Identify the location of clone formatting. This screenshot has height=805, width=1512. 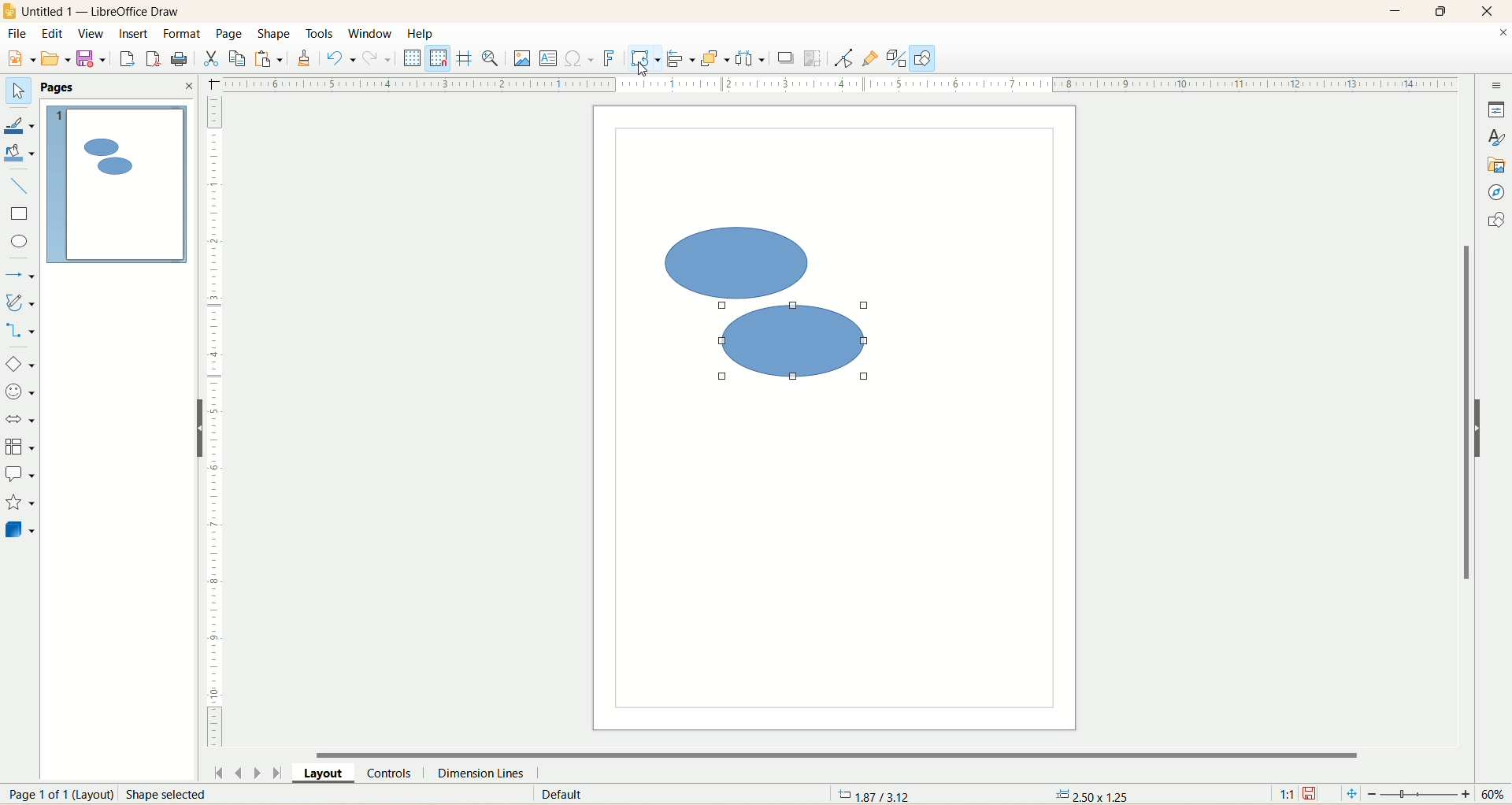
(308, 58).